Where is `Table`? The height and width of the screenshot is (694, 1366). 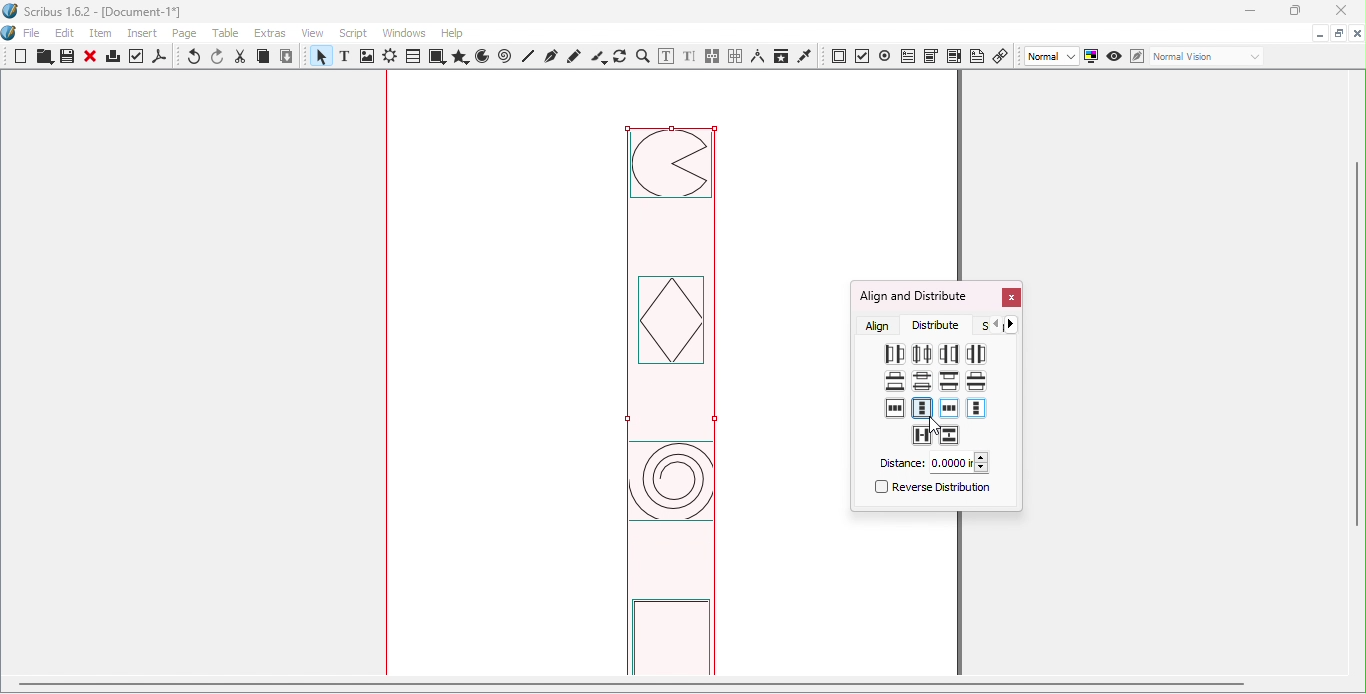
Table is located at coordinates (229, 34).